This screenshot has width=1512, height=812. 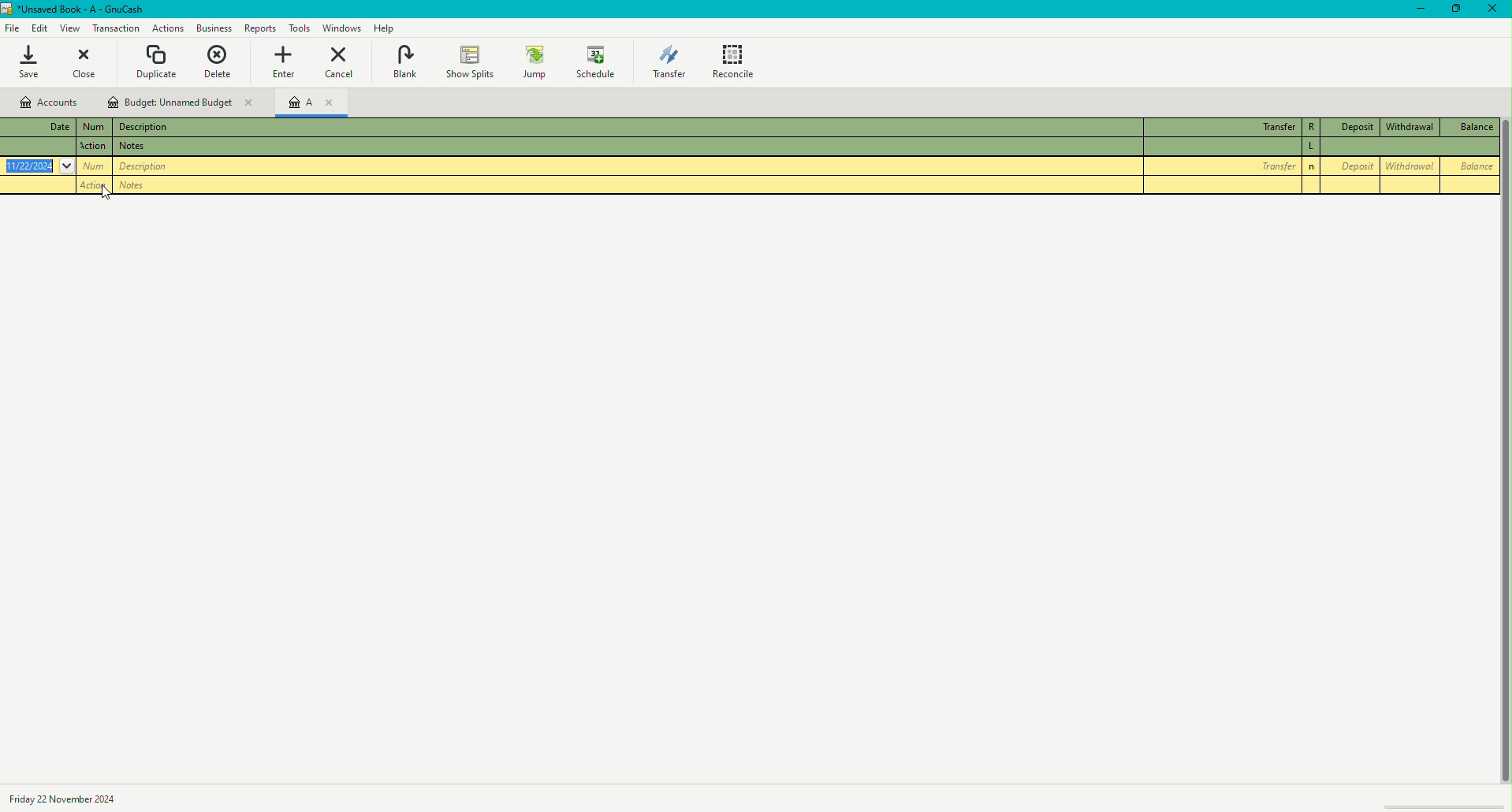 I want to click on Edit, so click(x=41, y=28).